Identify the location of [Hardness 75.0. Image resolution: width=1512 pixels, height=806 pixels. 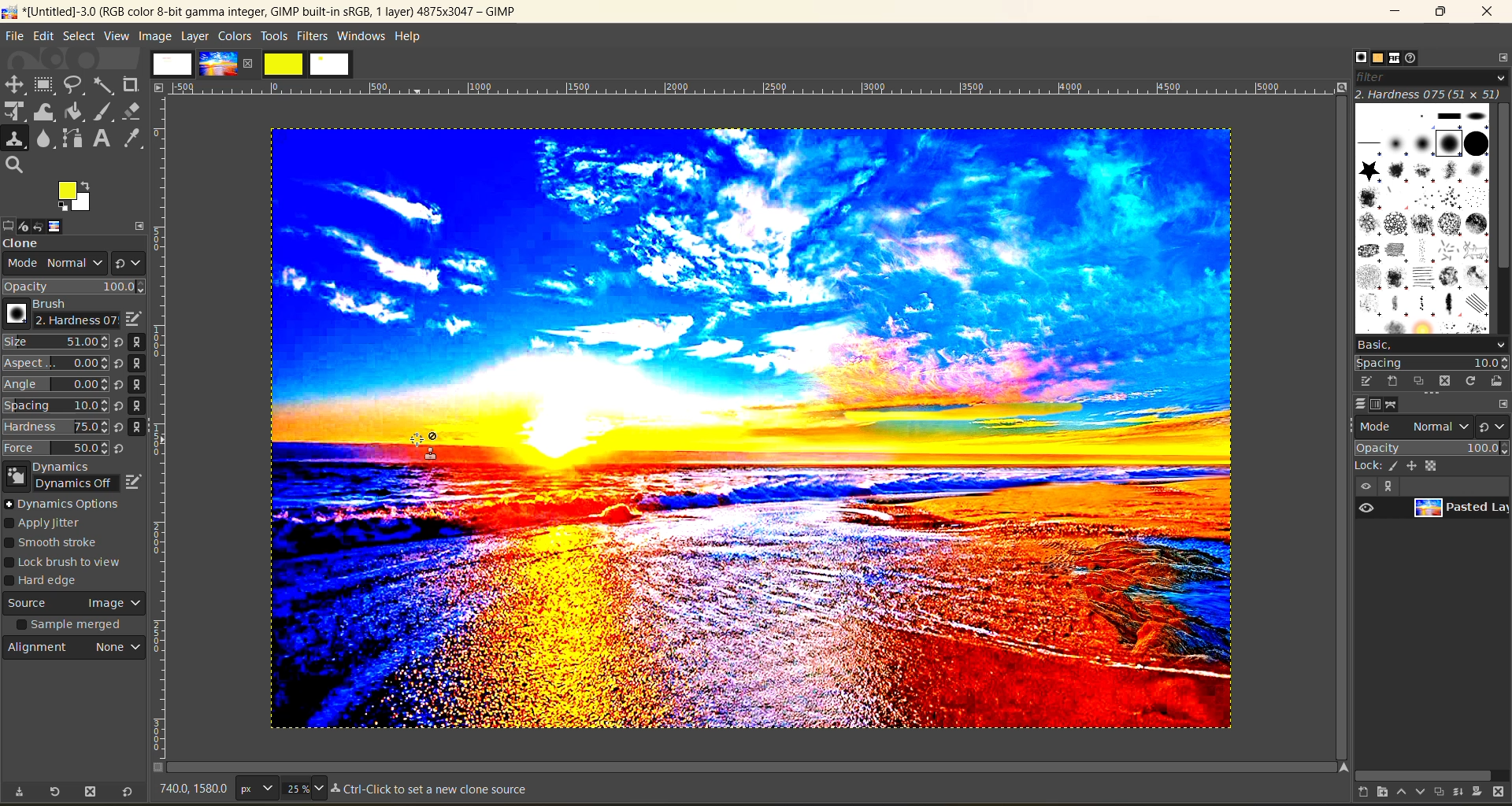
(55, 425).